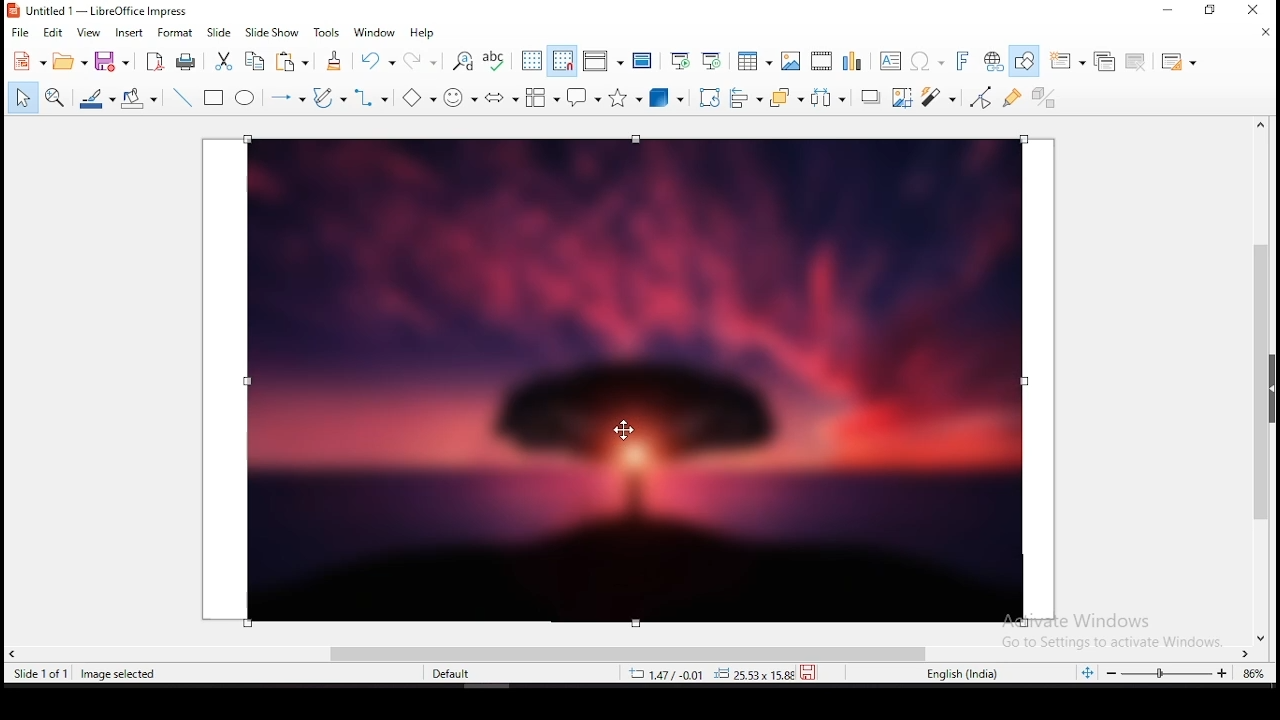 This screenshot has width=1280, height=720. I want to click on fit slide to current window, so click(1090, 673).